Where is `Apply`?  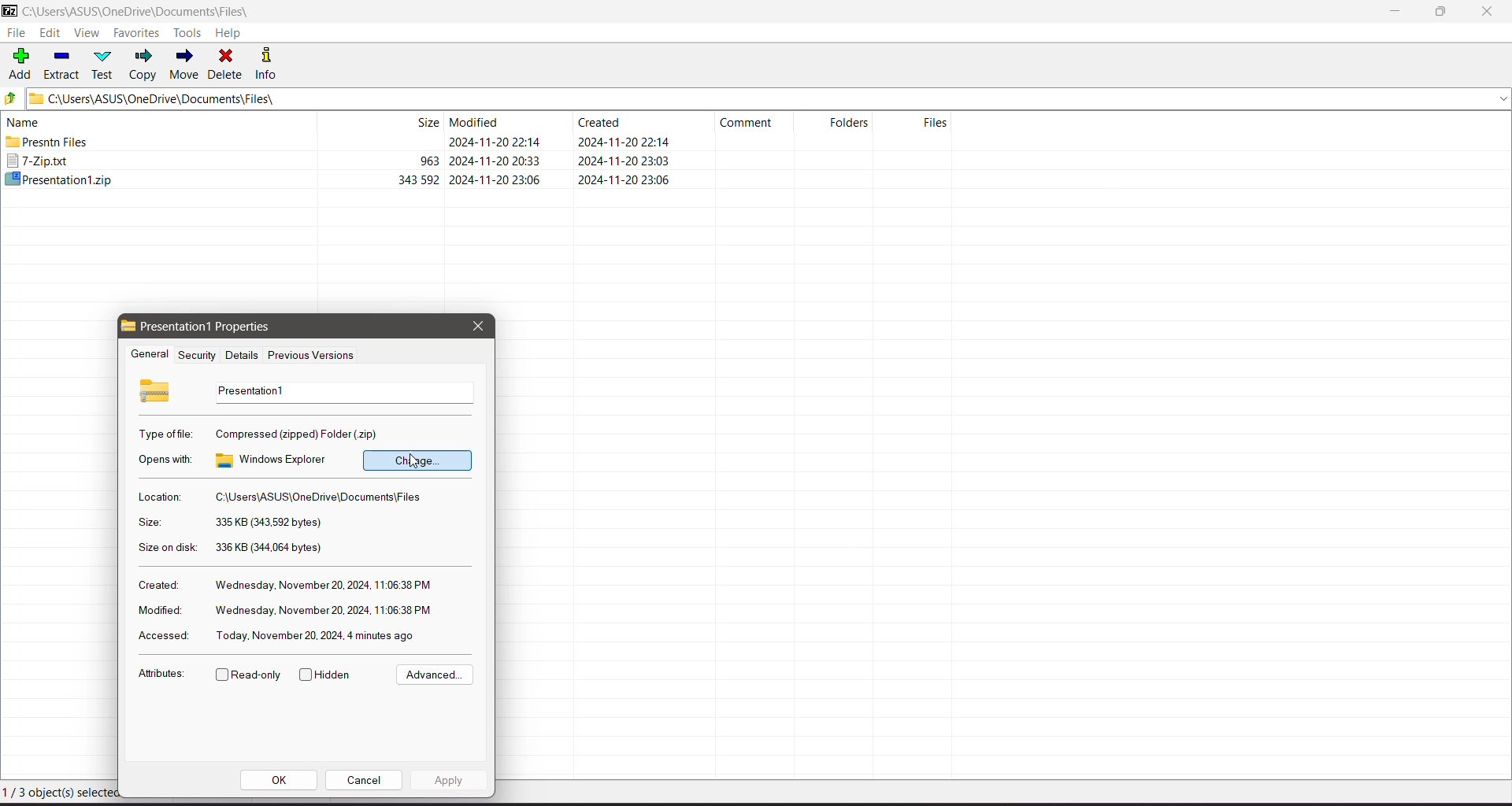
Apply is located at coordinates (449, 779).